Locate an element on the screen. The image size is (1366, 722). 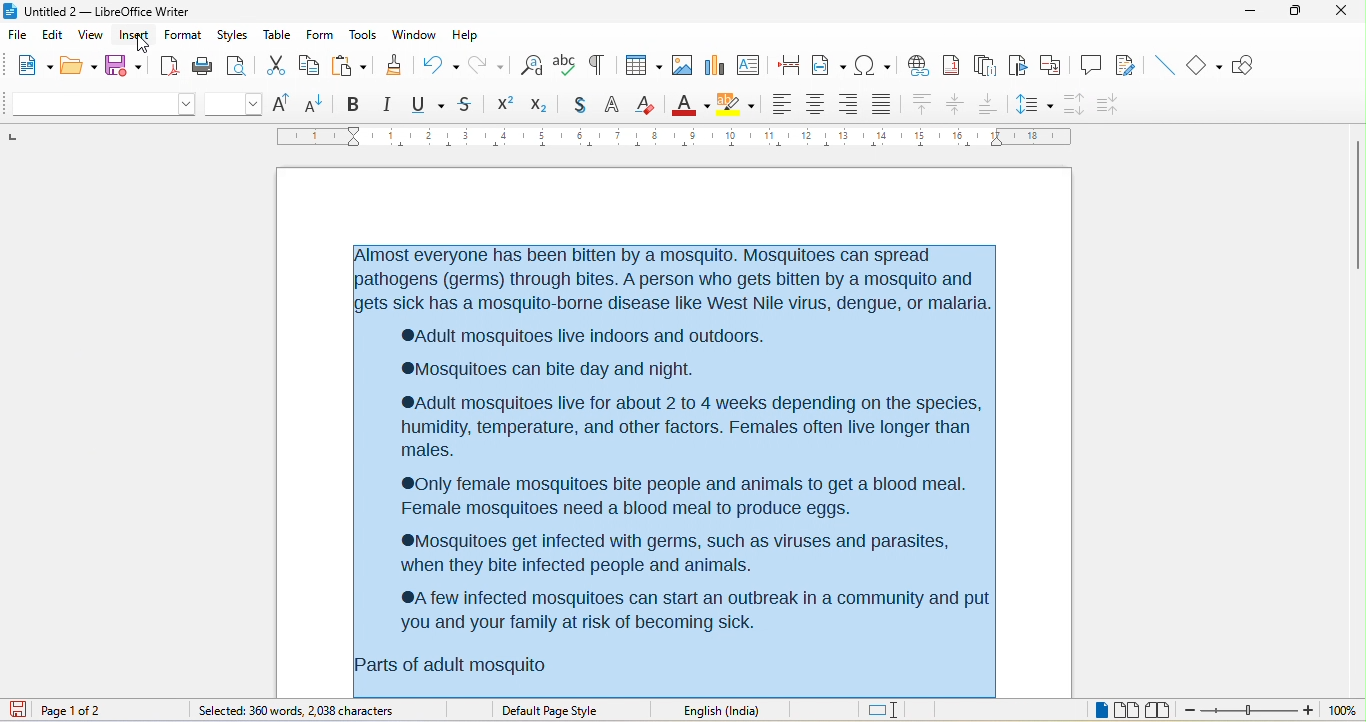
font name is located at coordinates (99, 105).